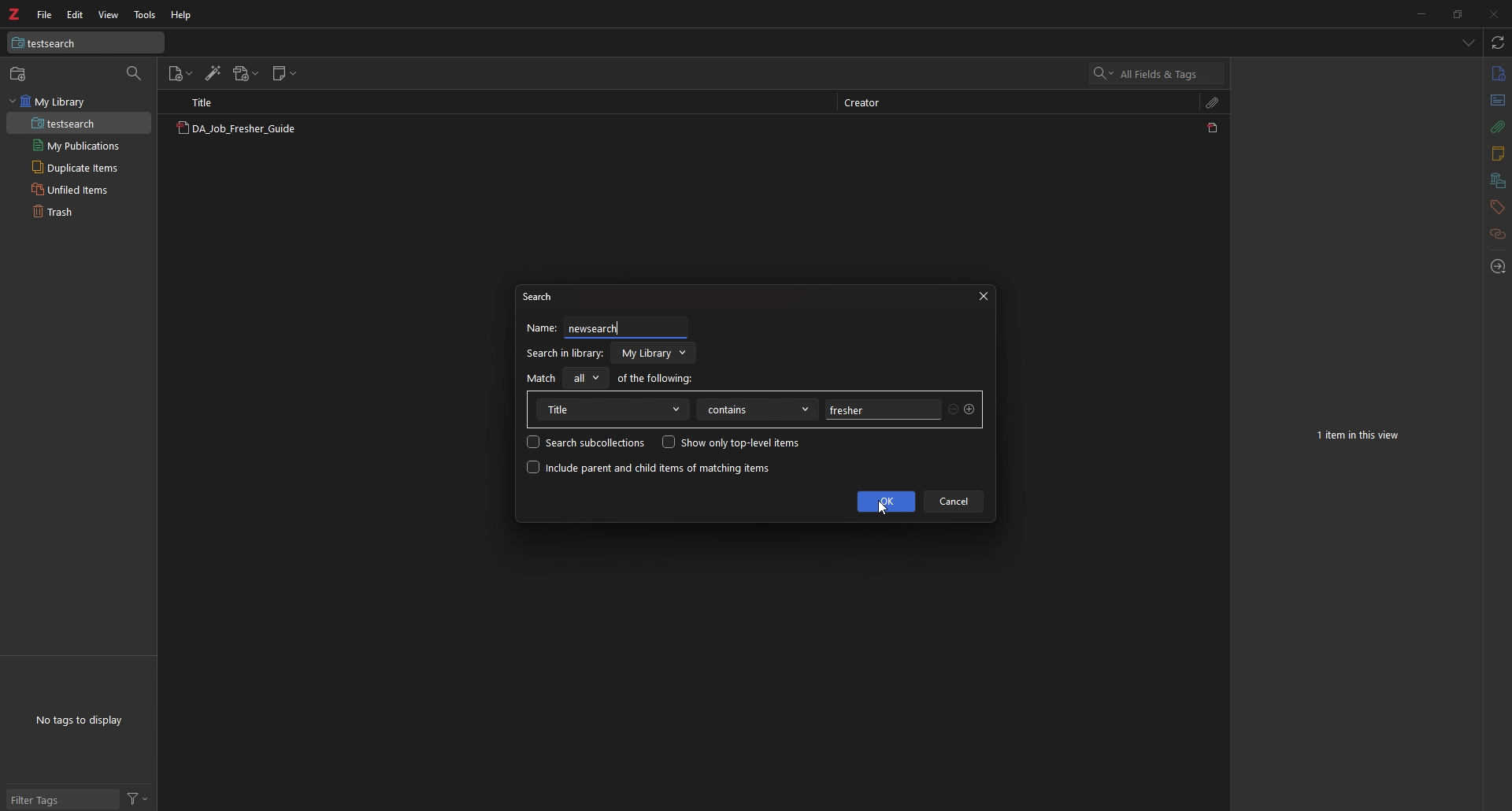 This screenshot has height=811, width=1512. Describe the element at coordinates (235, 130) in the screenshot. I see `DA_Job_Fresher_Guide` at that location.